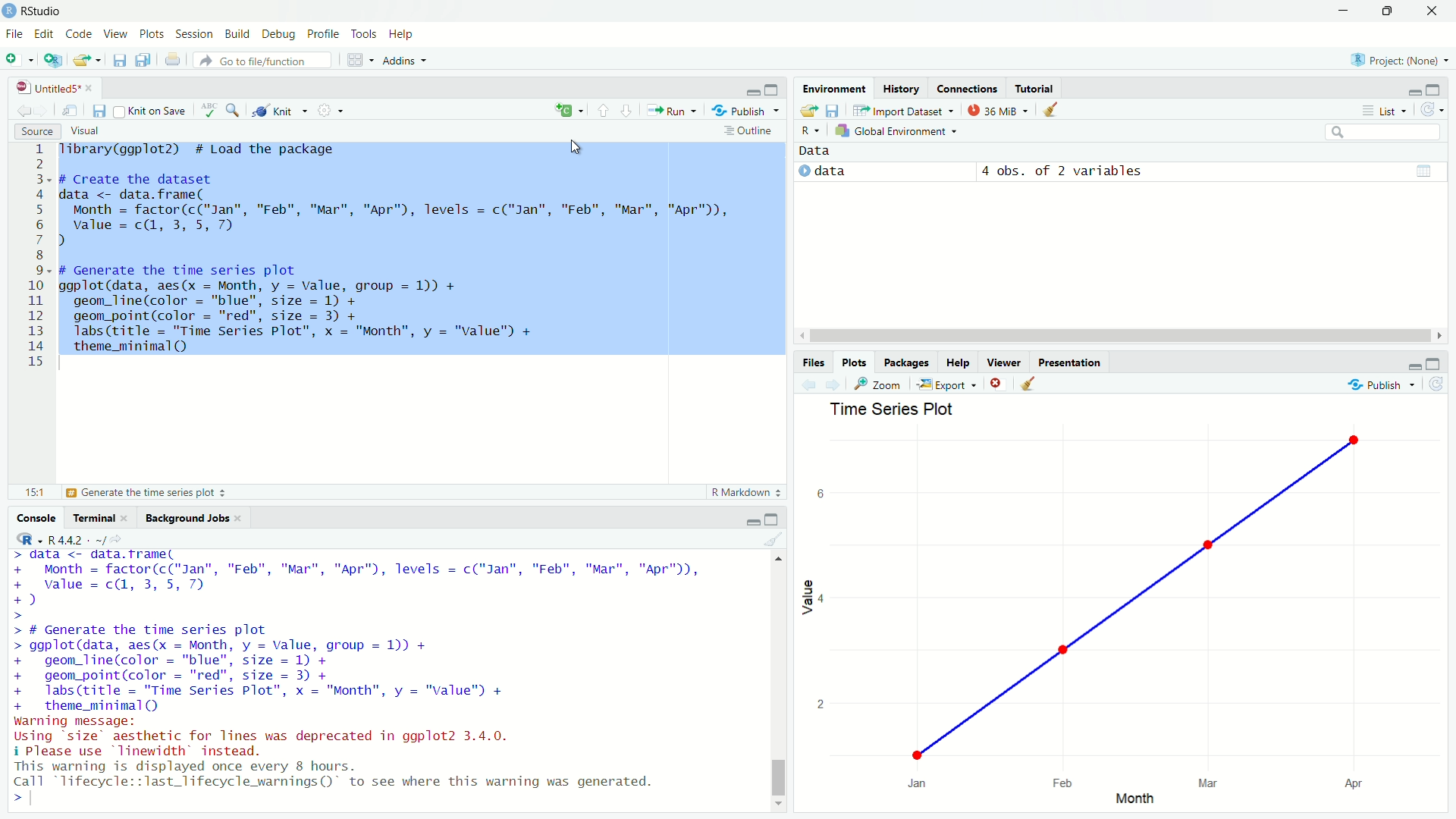  What do you see at coordinates (406, 36) in the screenshot?
I see `help` at bounding box center [406, 36].